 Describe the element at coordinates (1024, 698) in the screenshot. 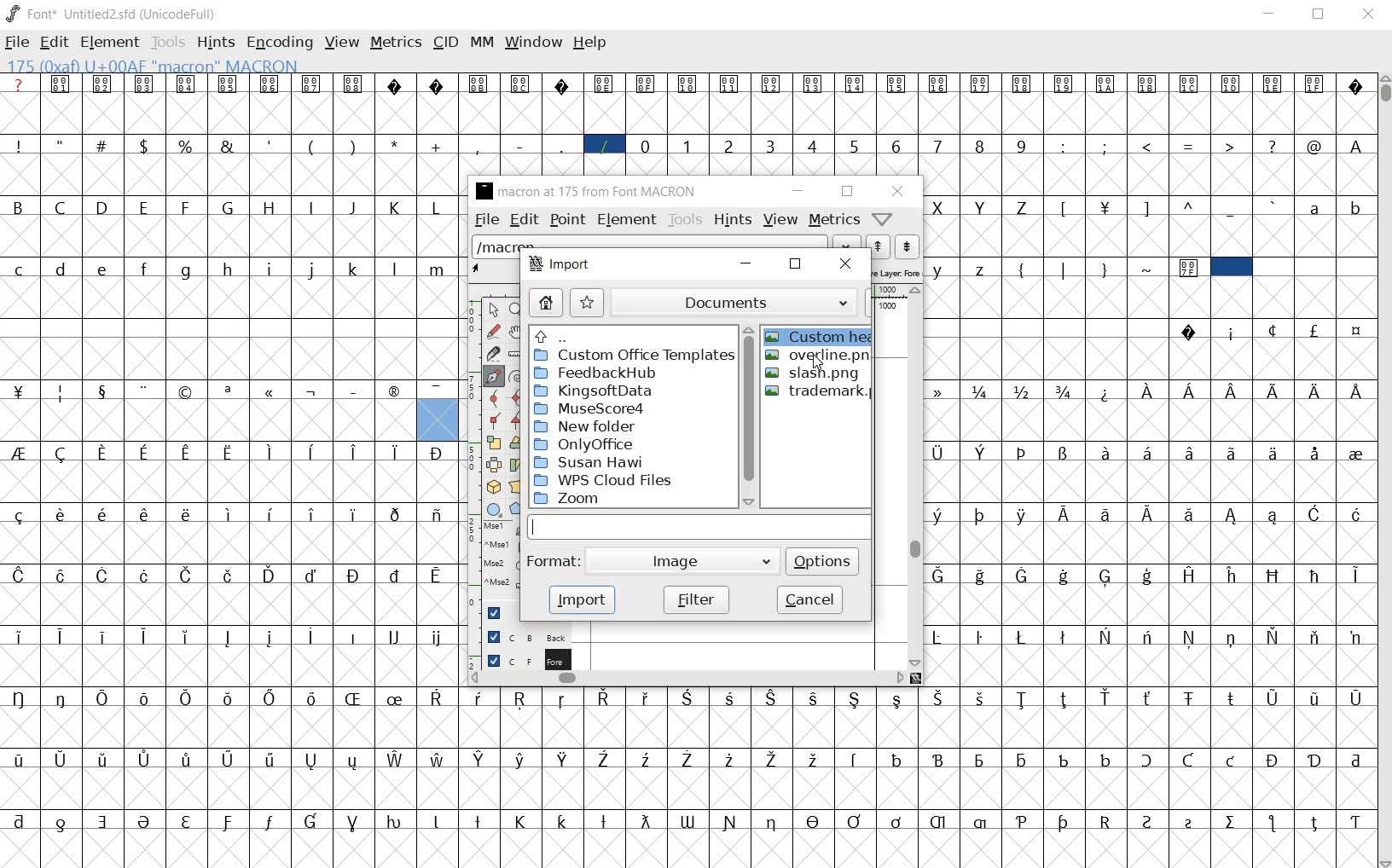

I see `Symbol` at that location.